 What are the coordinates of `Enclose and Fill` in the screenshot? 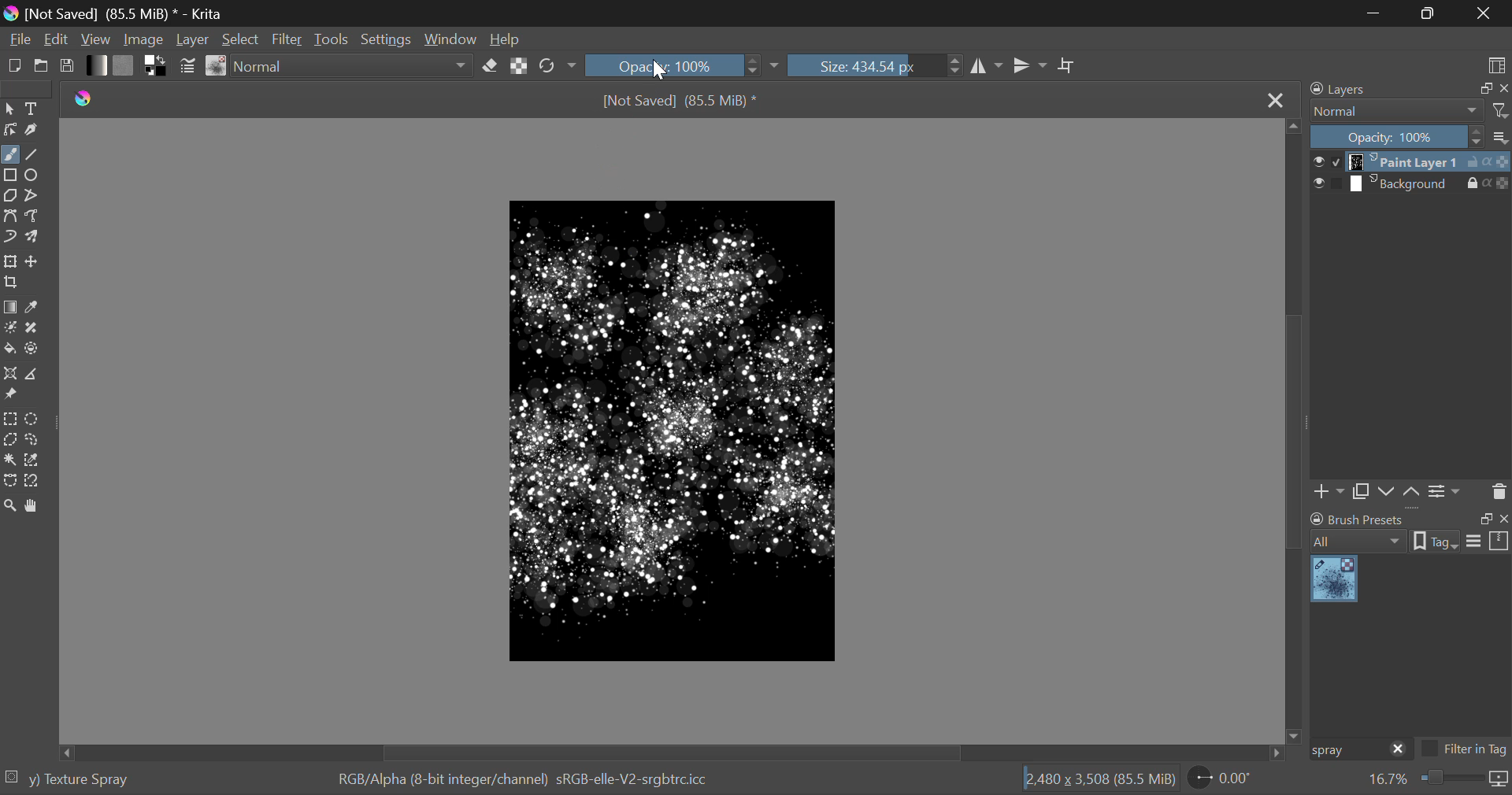 It's located at (32, 350).